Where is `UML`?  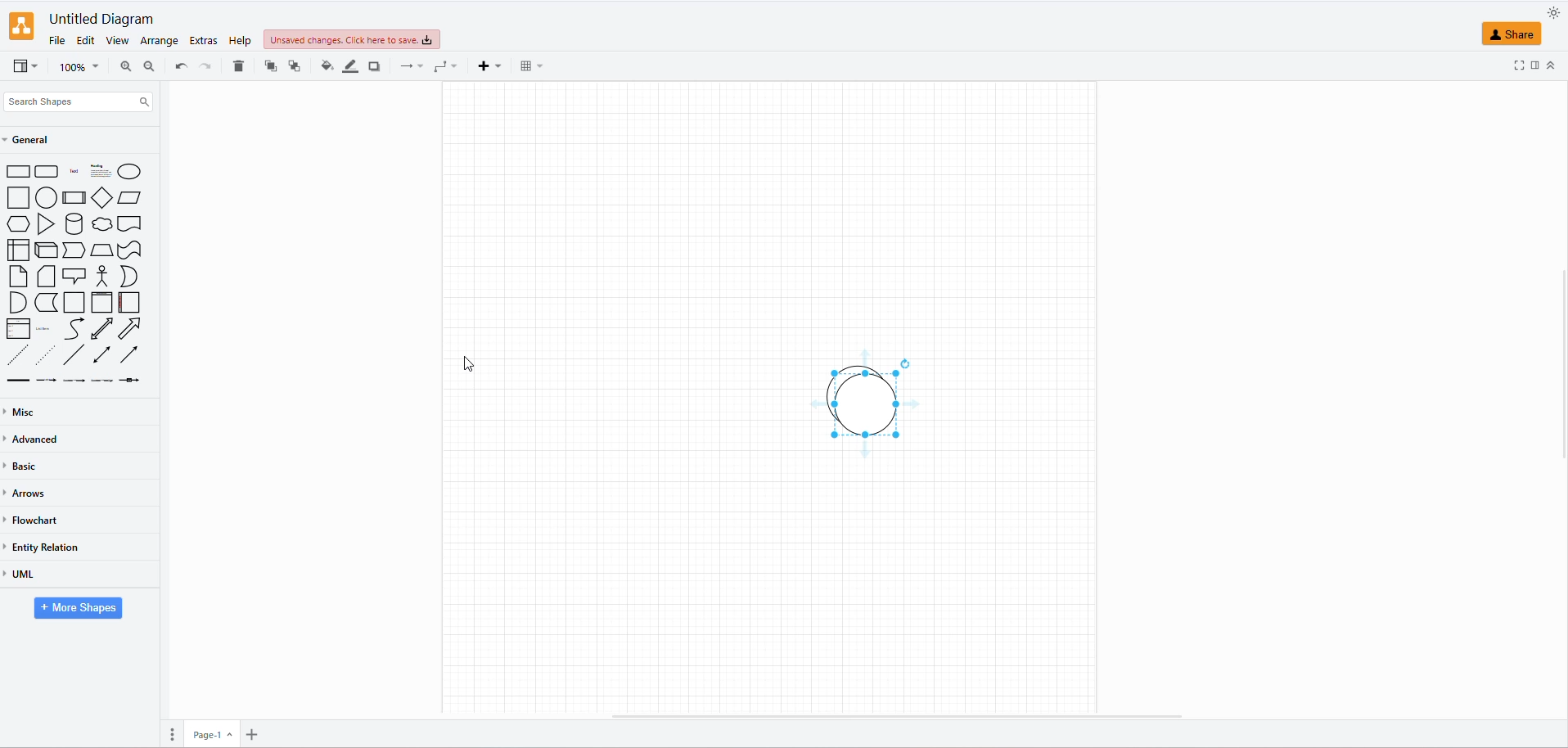
UML is located at coordinates (24, 574).